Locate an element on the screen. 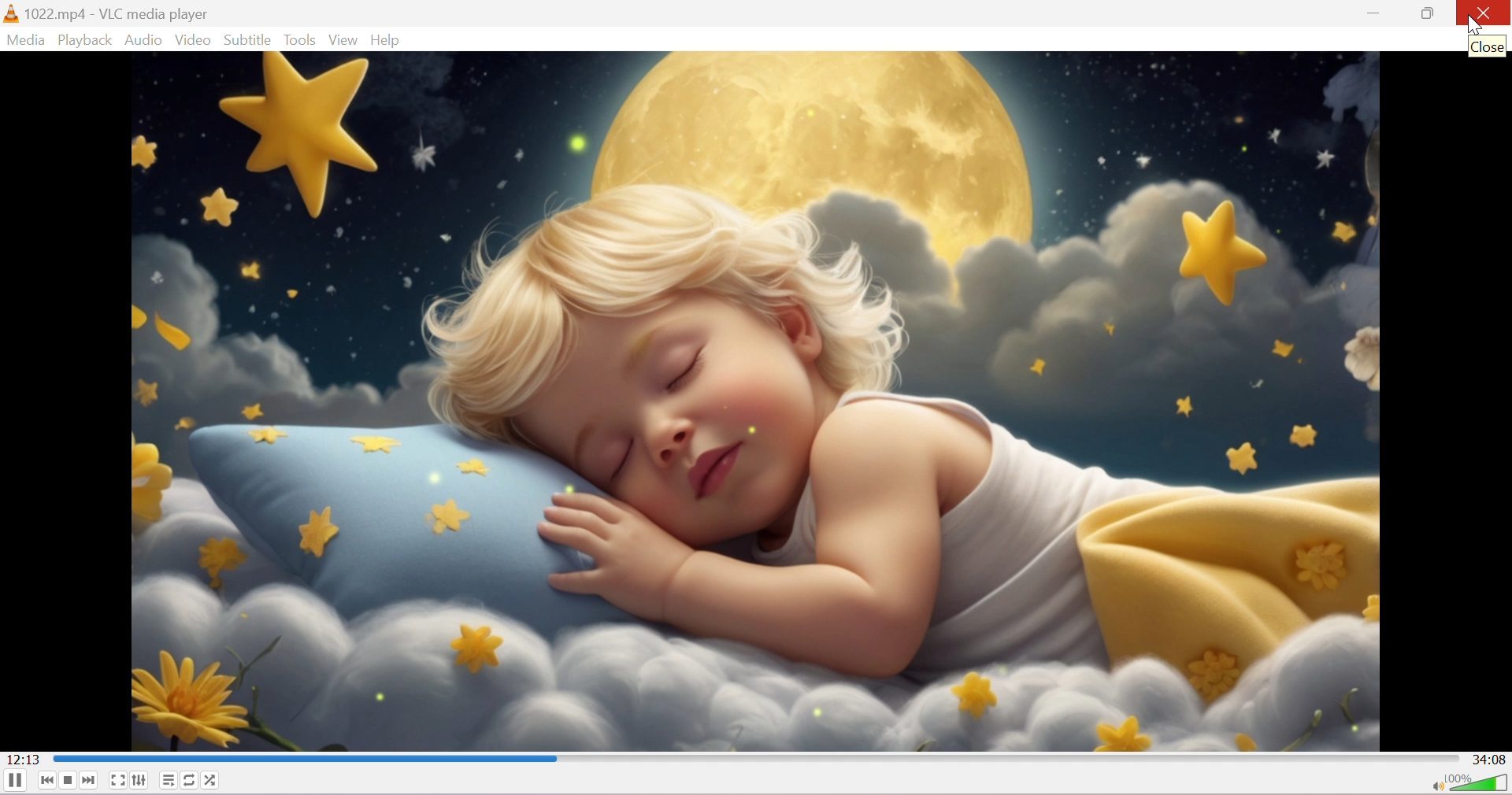 The width and height of the screenshot is (1512, 795). Next media in the playlist, skip forward when held is located at coordinates (90, 781).